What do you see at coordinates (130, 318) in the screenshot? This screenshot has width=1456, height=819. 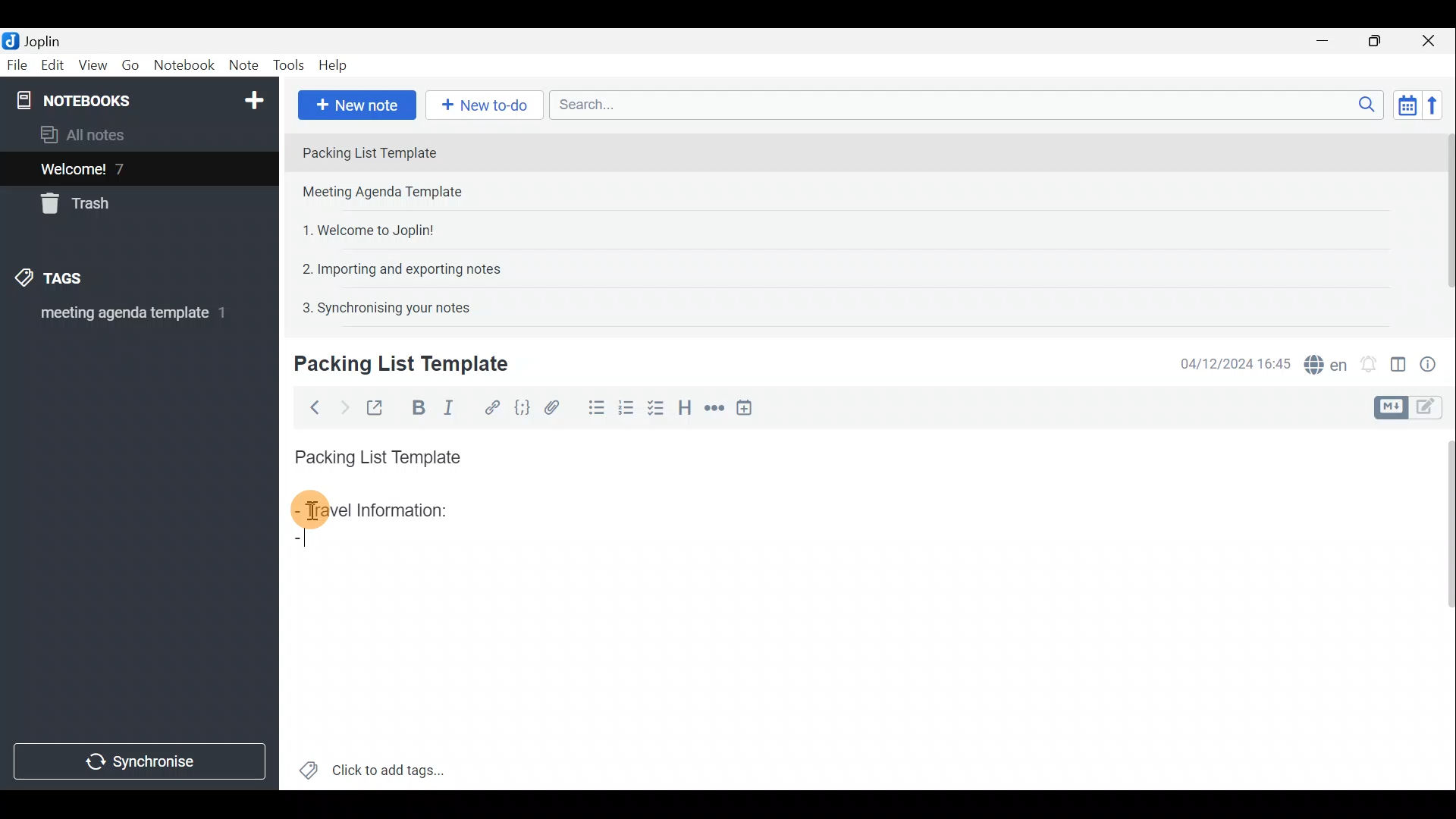 I see `meeting agenda template` at bounding box center [130, 318].